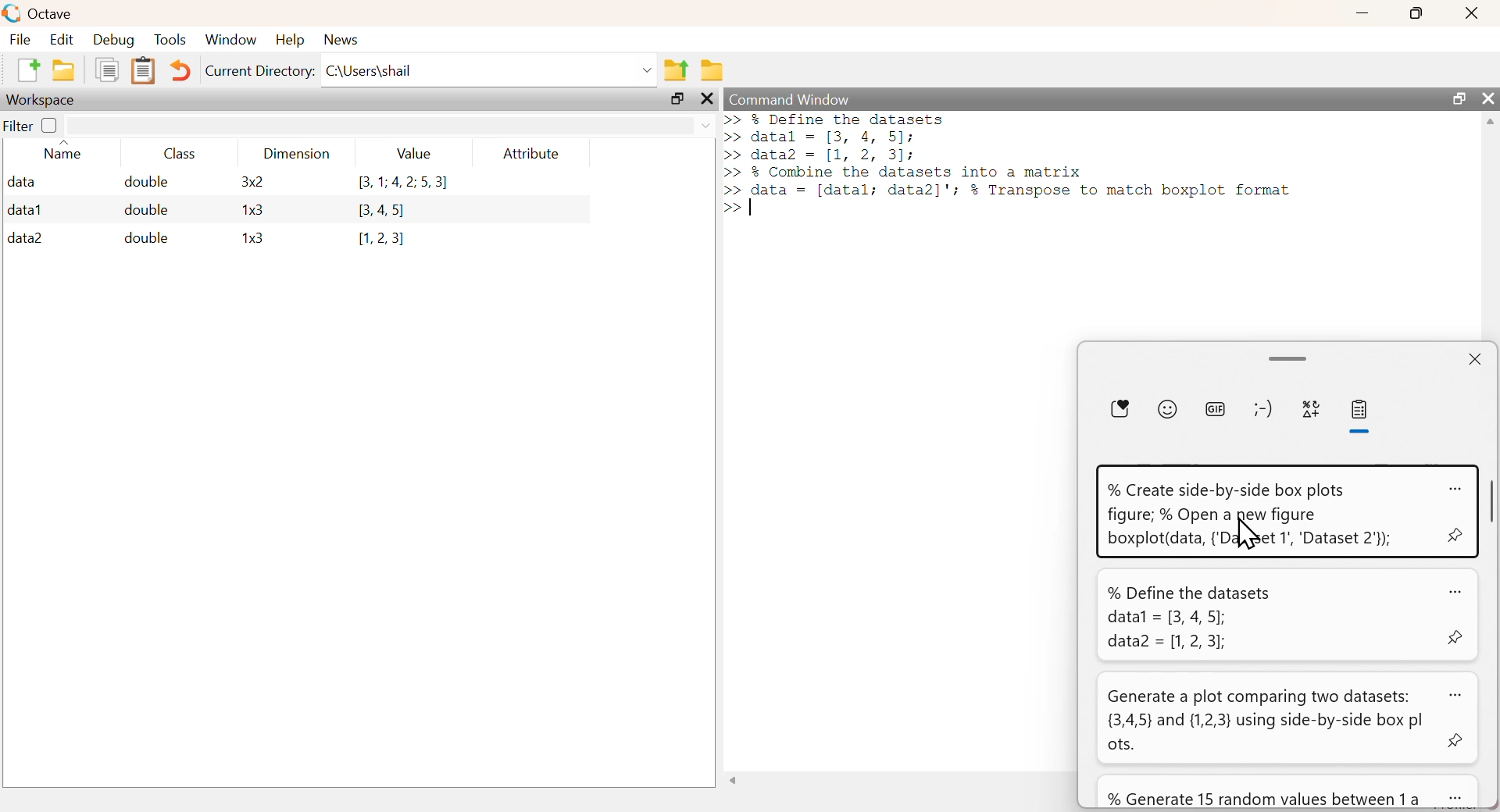 The image size is (1500, 812). I want to click on C:\Users\shail, so click(370, 69).